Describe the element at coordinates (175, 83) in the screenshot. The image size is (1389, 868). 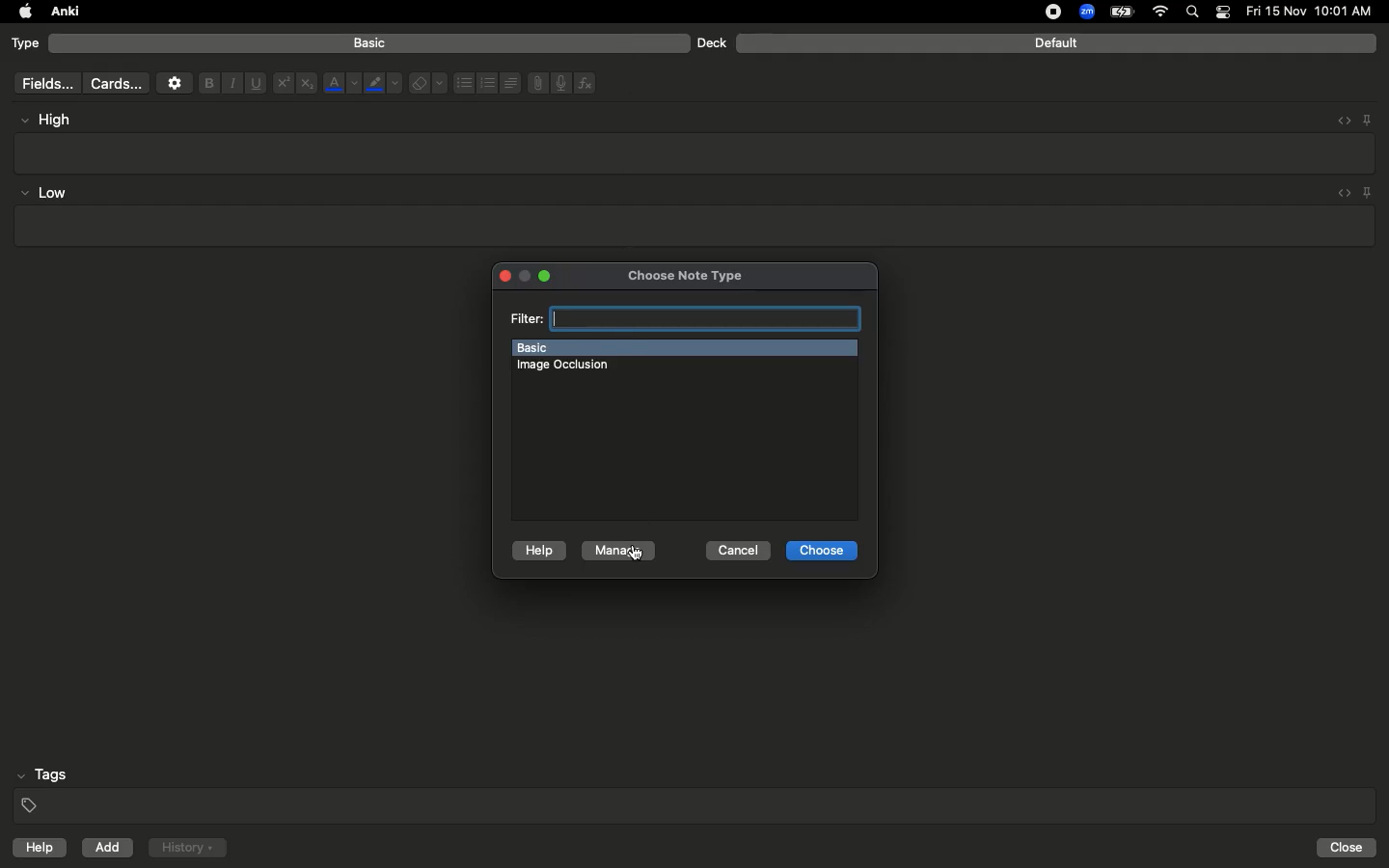
I see `Settings` at that location.